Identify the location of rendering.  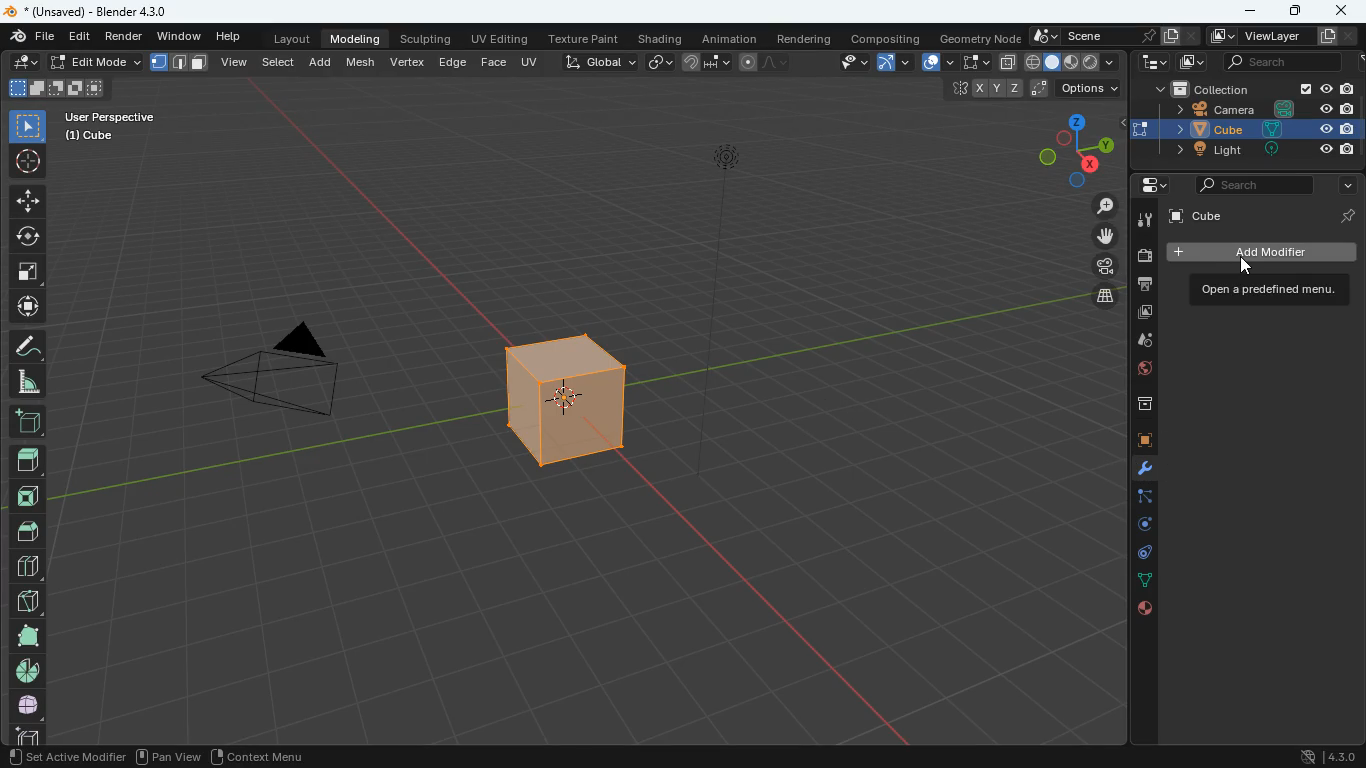
(805, 35).